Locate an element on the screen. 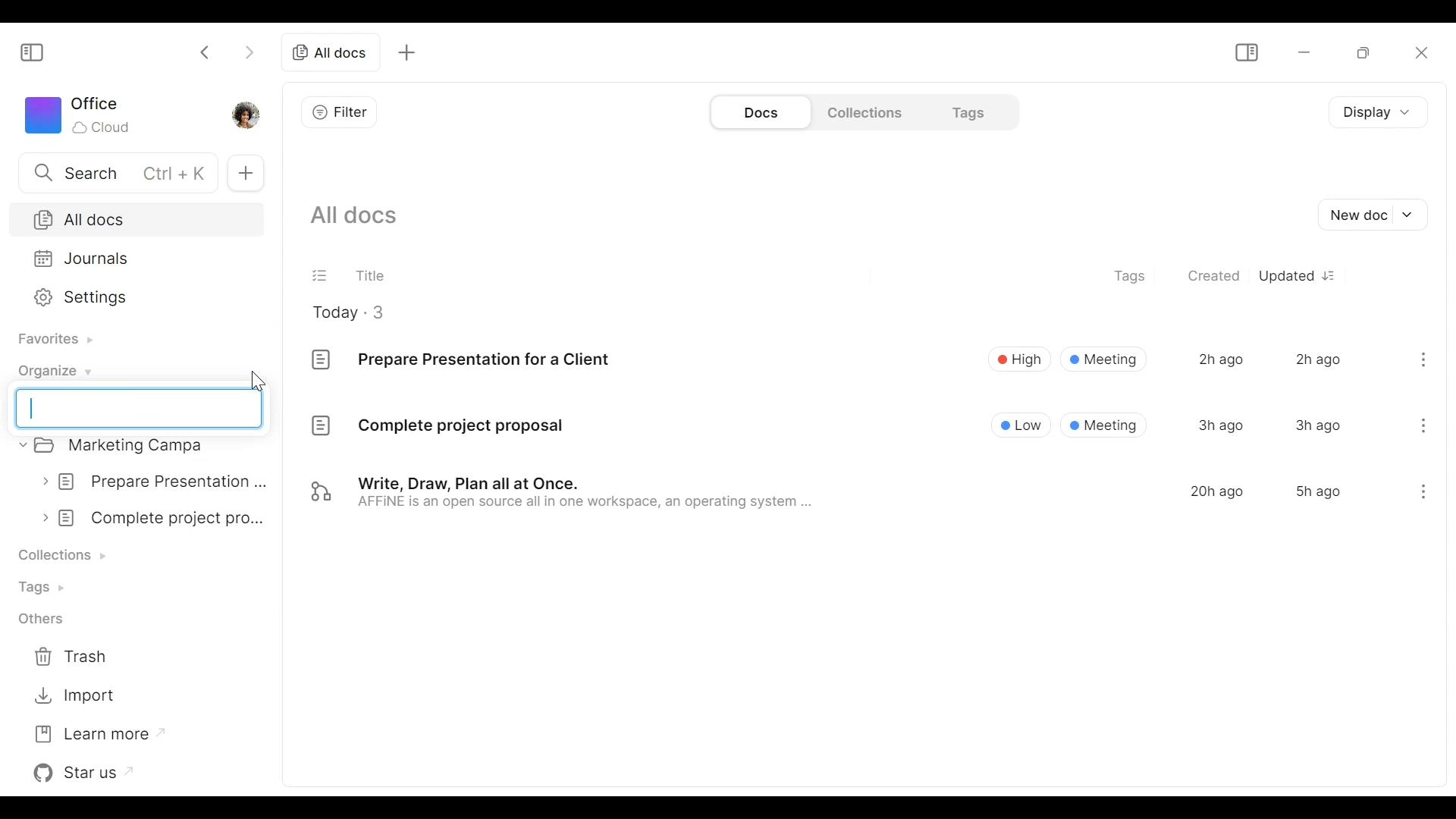 Image resolution: width=1456 pixels, height=819 pixels. Filter is located at coordinates (340, 111).